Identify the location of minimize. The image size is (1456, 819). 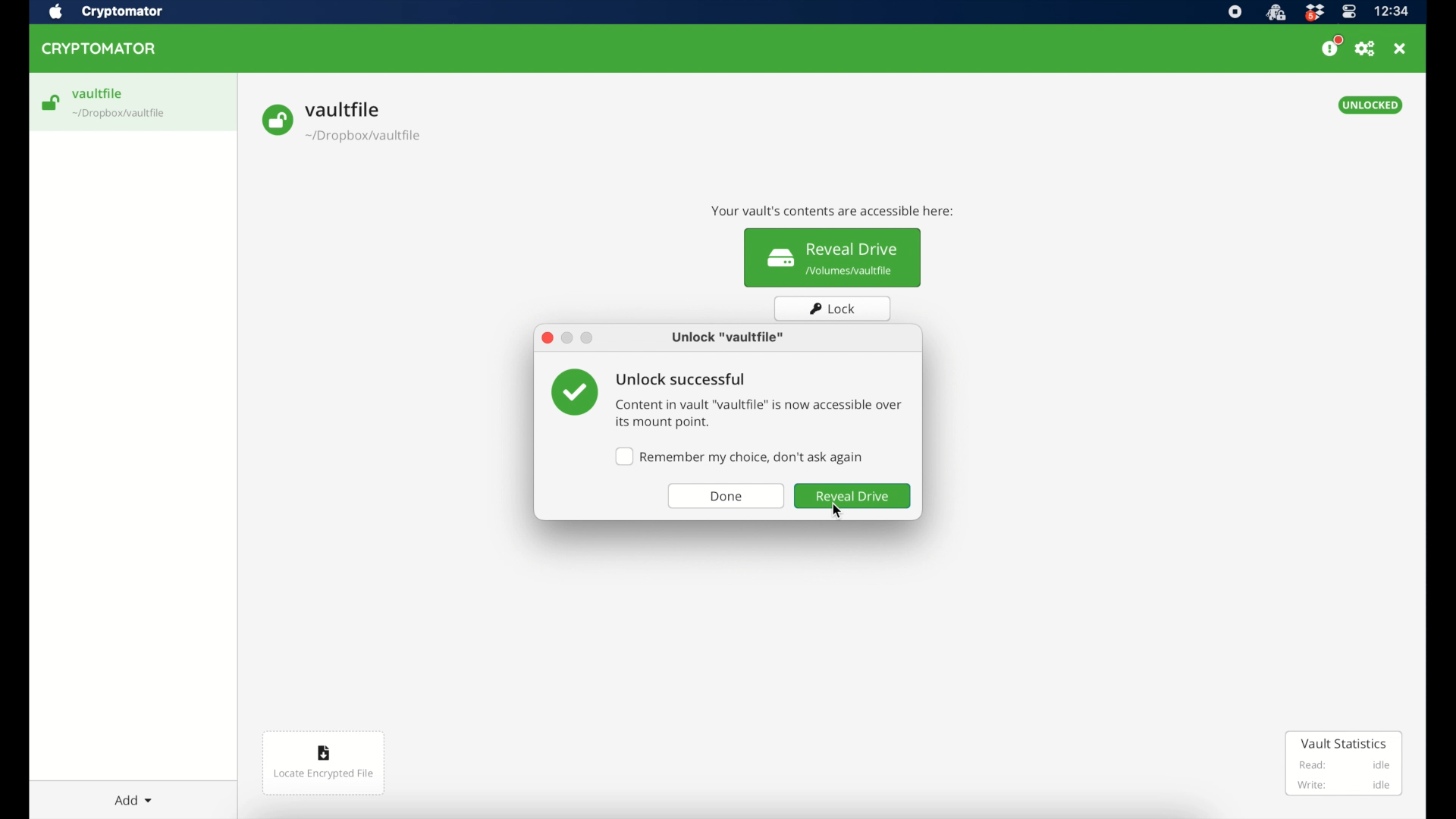
(568, 339).